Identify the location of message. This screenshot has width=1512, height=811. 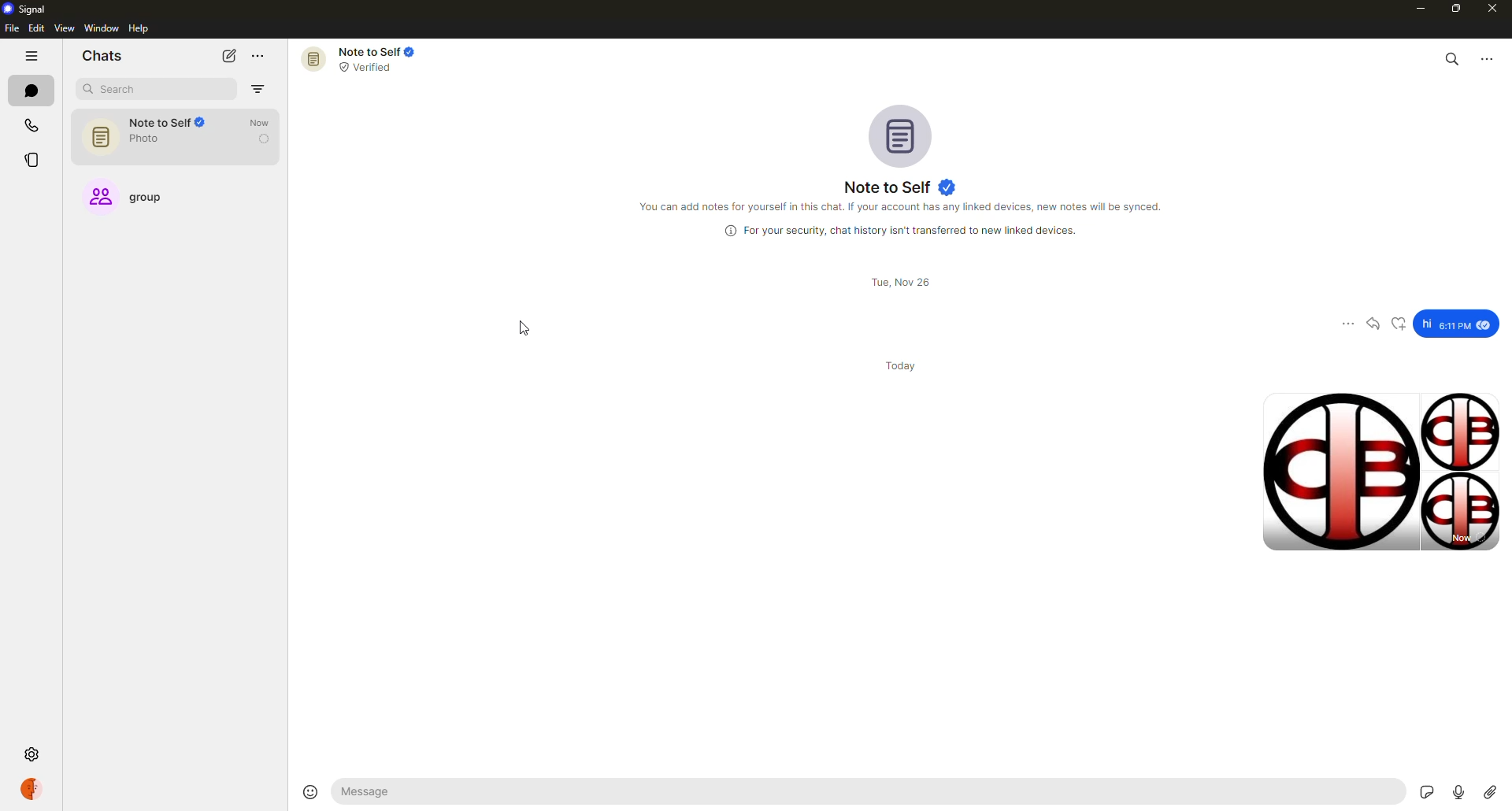
(1462, 325).